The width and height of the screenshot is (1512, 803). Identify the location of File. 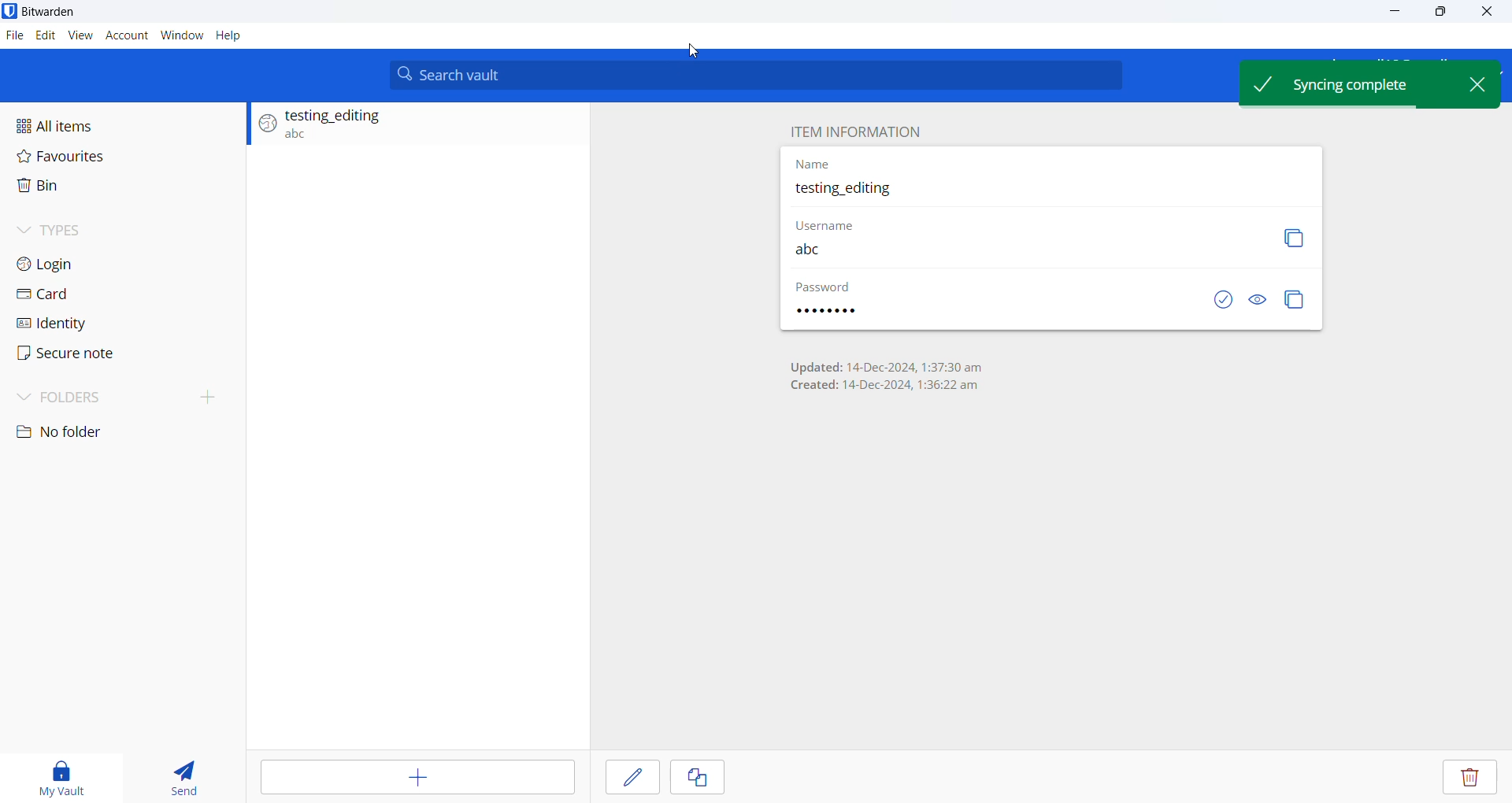
(15, 37).